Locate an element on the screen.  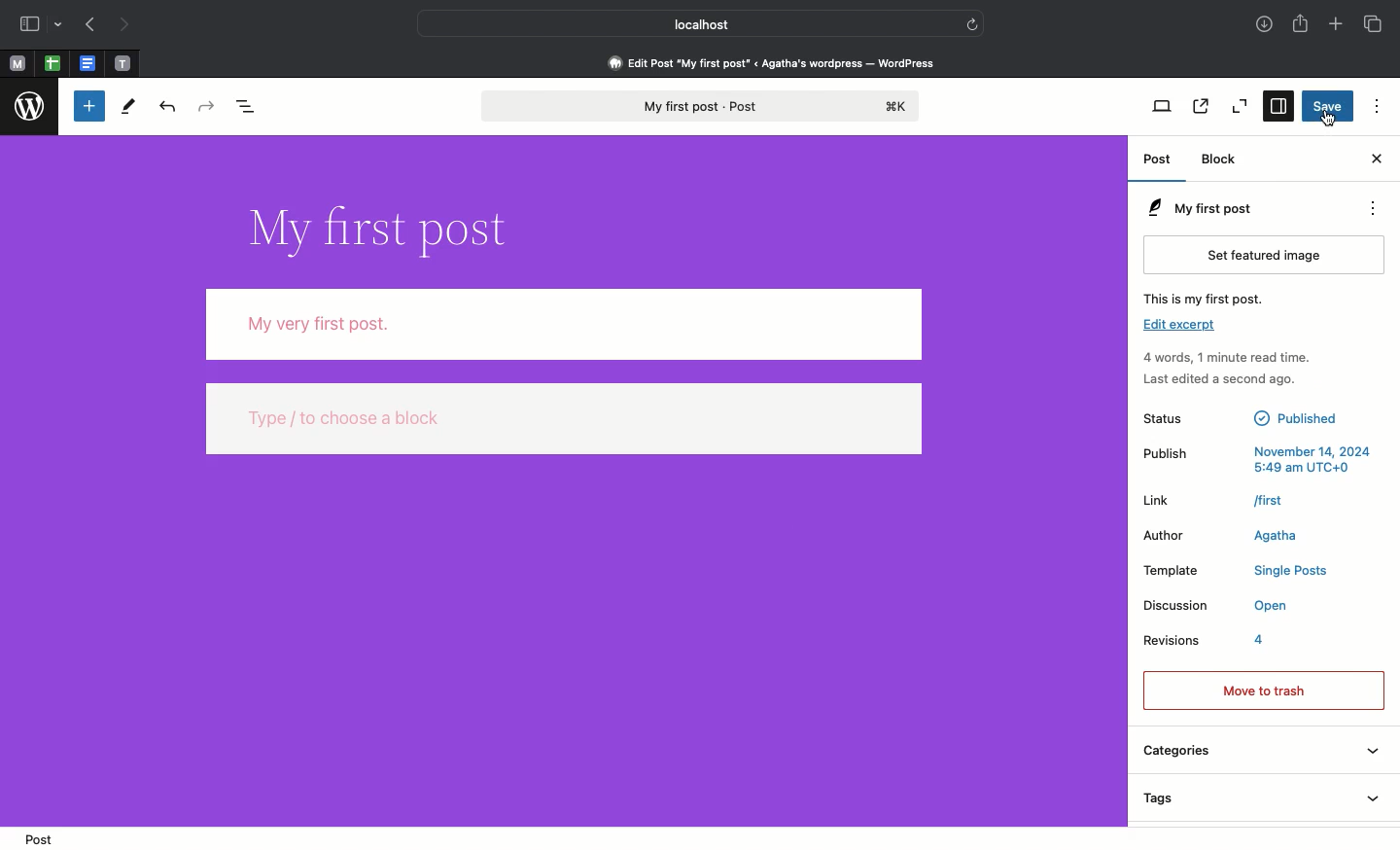
Status is located at coordinates (1257, 423).